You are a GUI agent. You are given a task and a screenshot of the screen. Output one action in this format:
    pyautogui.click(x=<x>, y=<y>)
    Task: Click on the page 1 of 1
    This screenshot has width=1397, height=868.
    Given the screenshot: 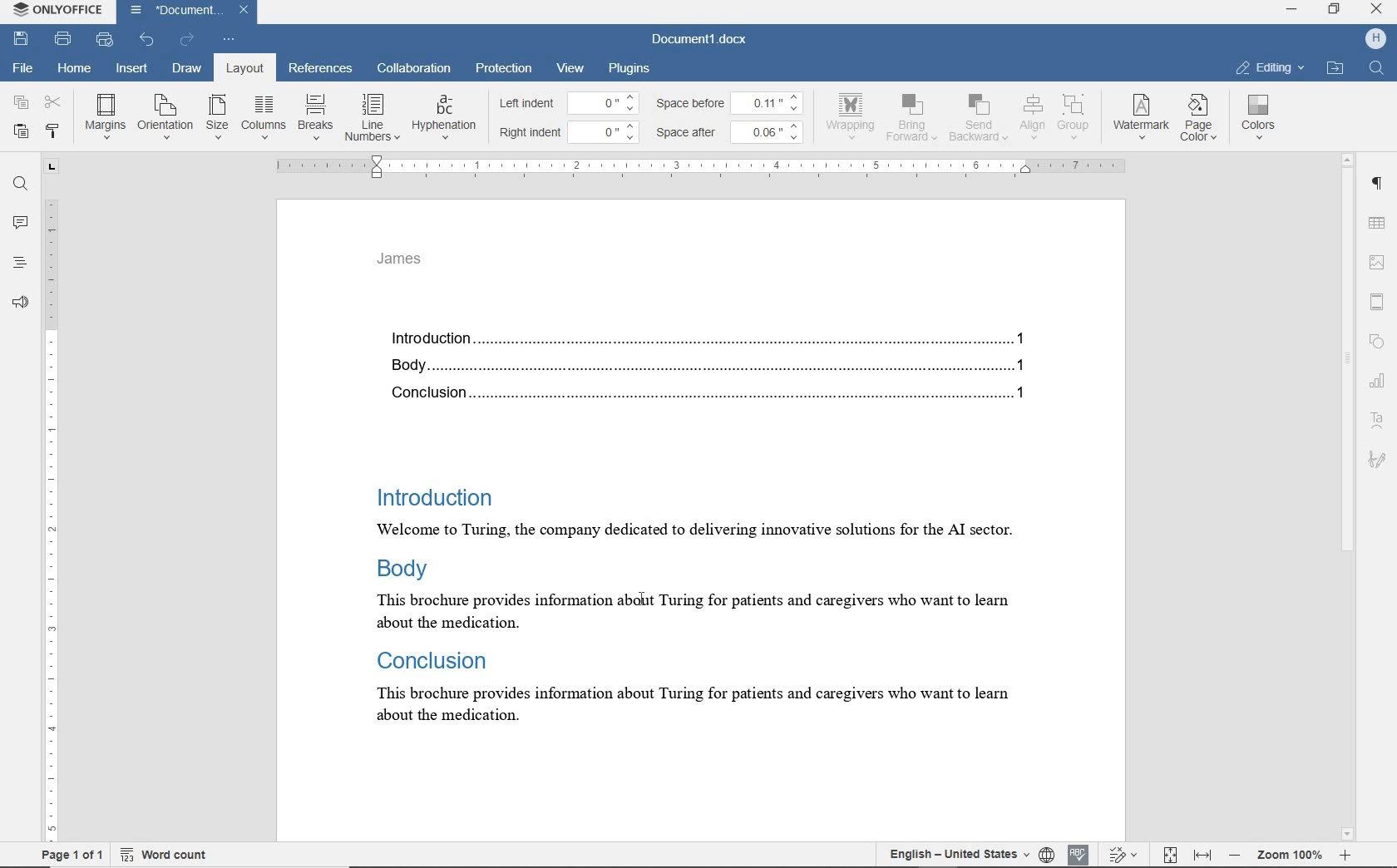 What is the action you would take?
    pyautogui.click(x=72, y=854)
    